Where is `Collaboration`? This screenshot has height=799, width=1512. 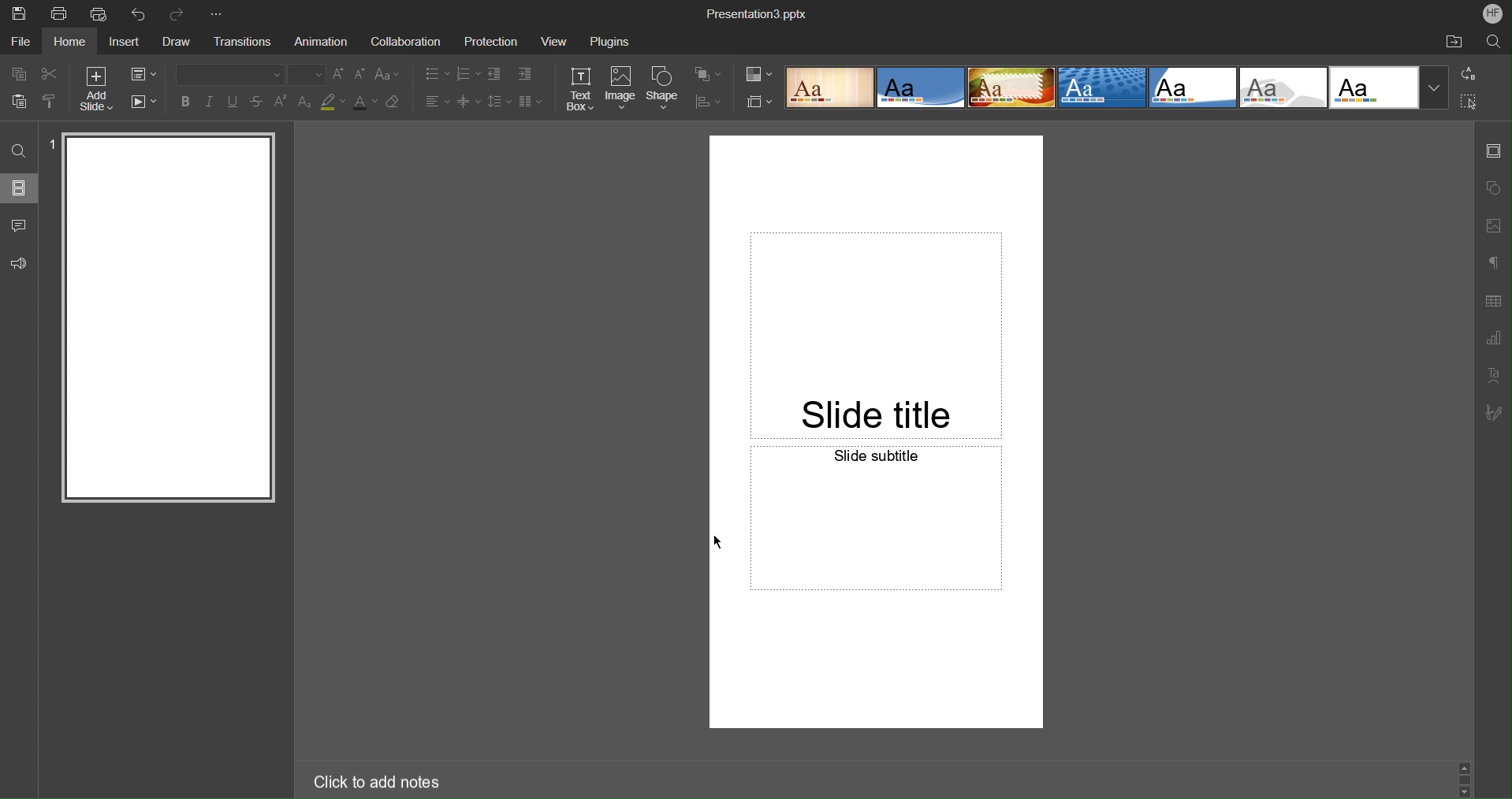
Collaboration is located at coordinates (406, 43).